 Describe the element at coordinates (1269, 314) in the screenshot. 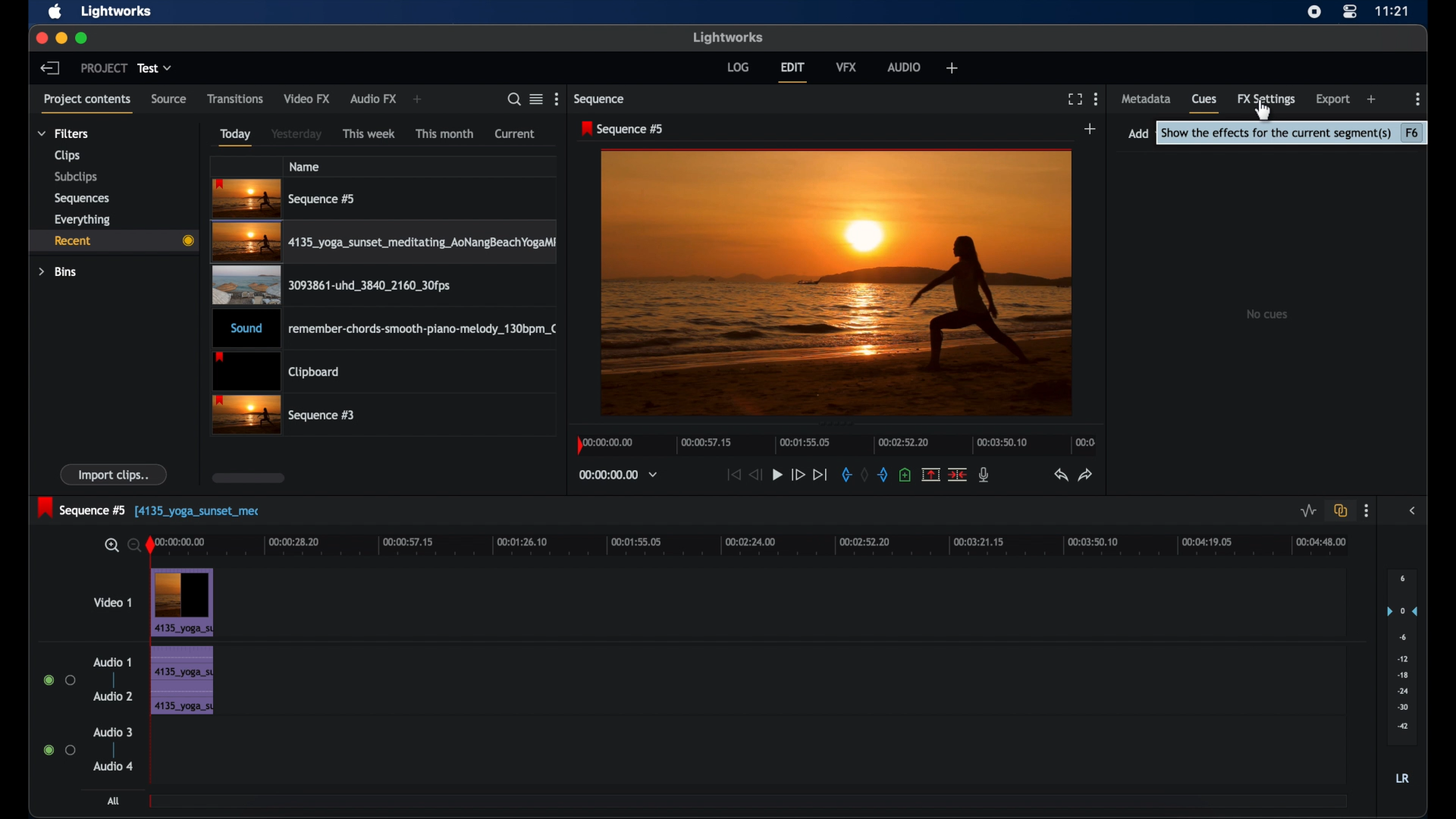

I see `no cues` at that location.